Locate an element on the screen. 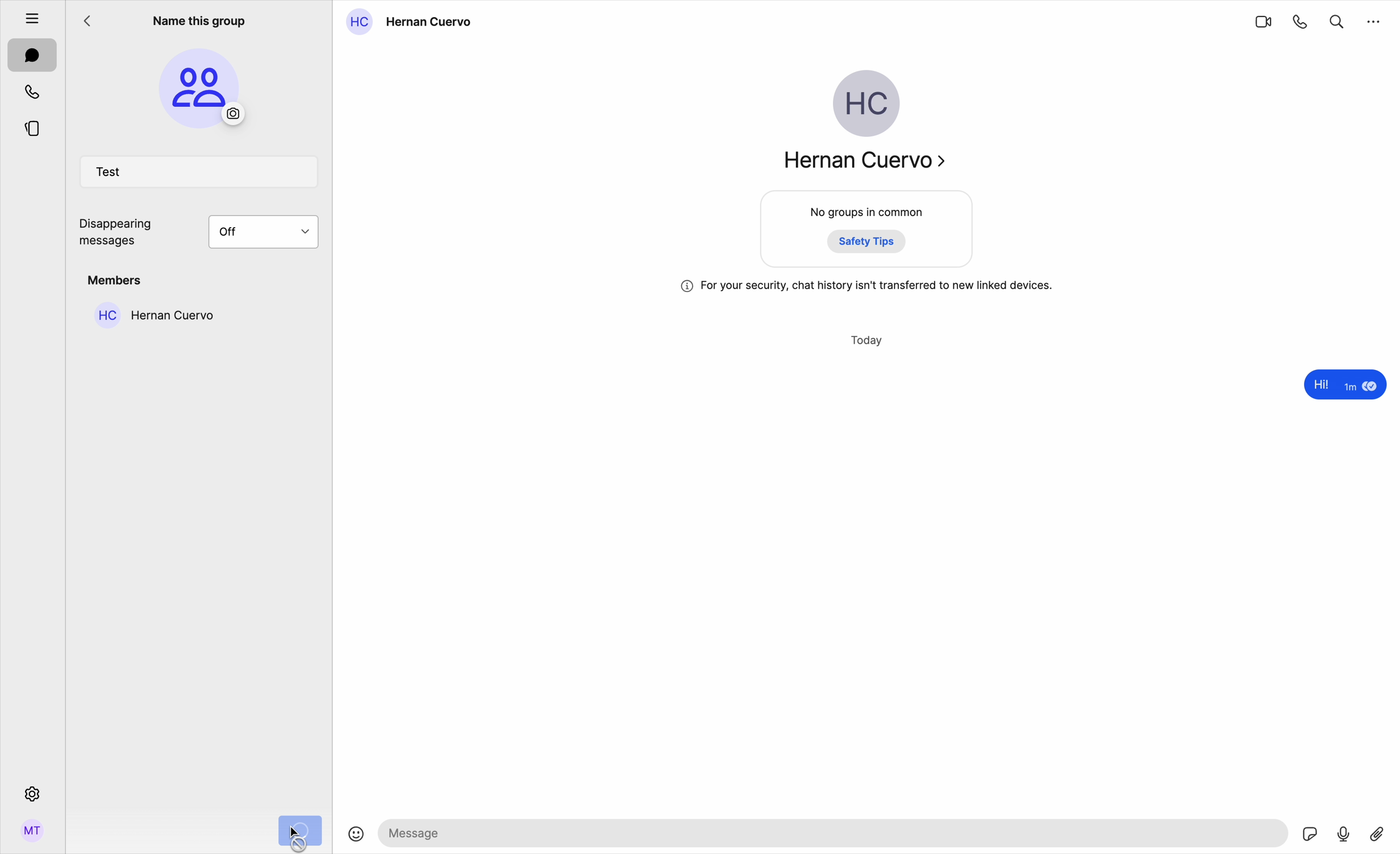 The width and height of the screenshot is (1400, 854). safety message is located at coordinates (867, 286).